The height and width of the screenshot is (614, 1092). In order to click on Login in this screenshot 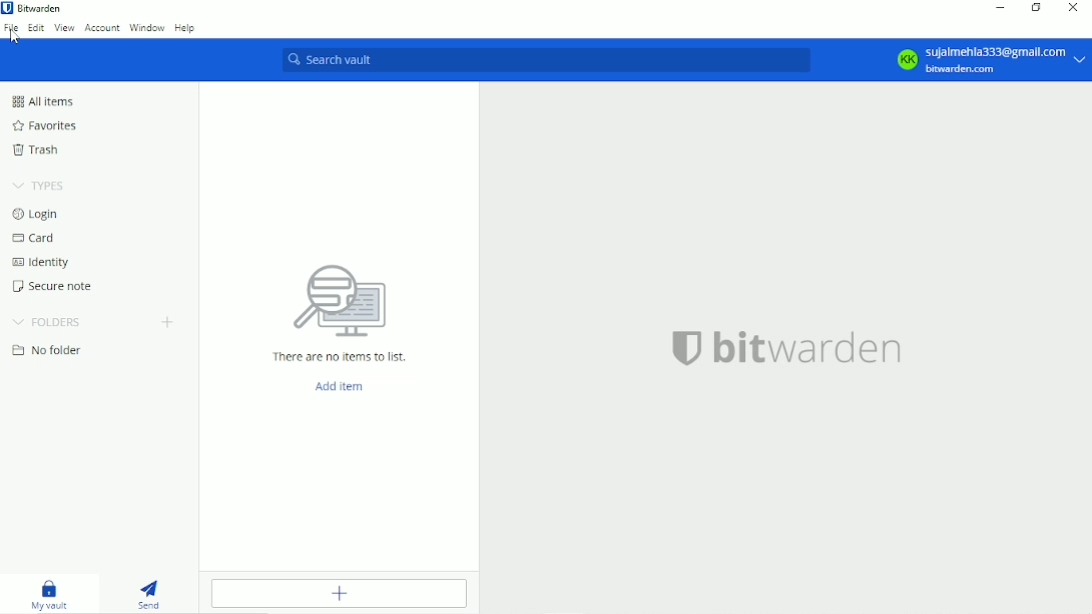, I will do `click(40, 214)`.